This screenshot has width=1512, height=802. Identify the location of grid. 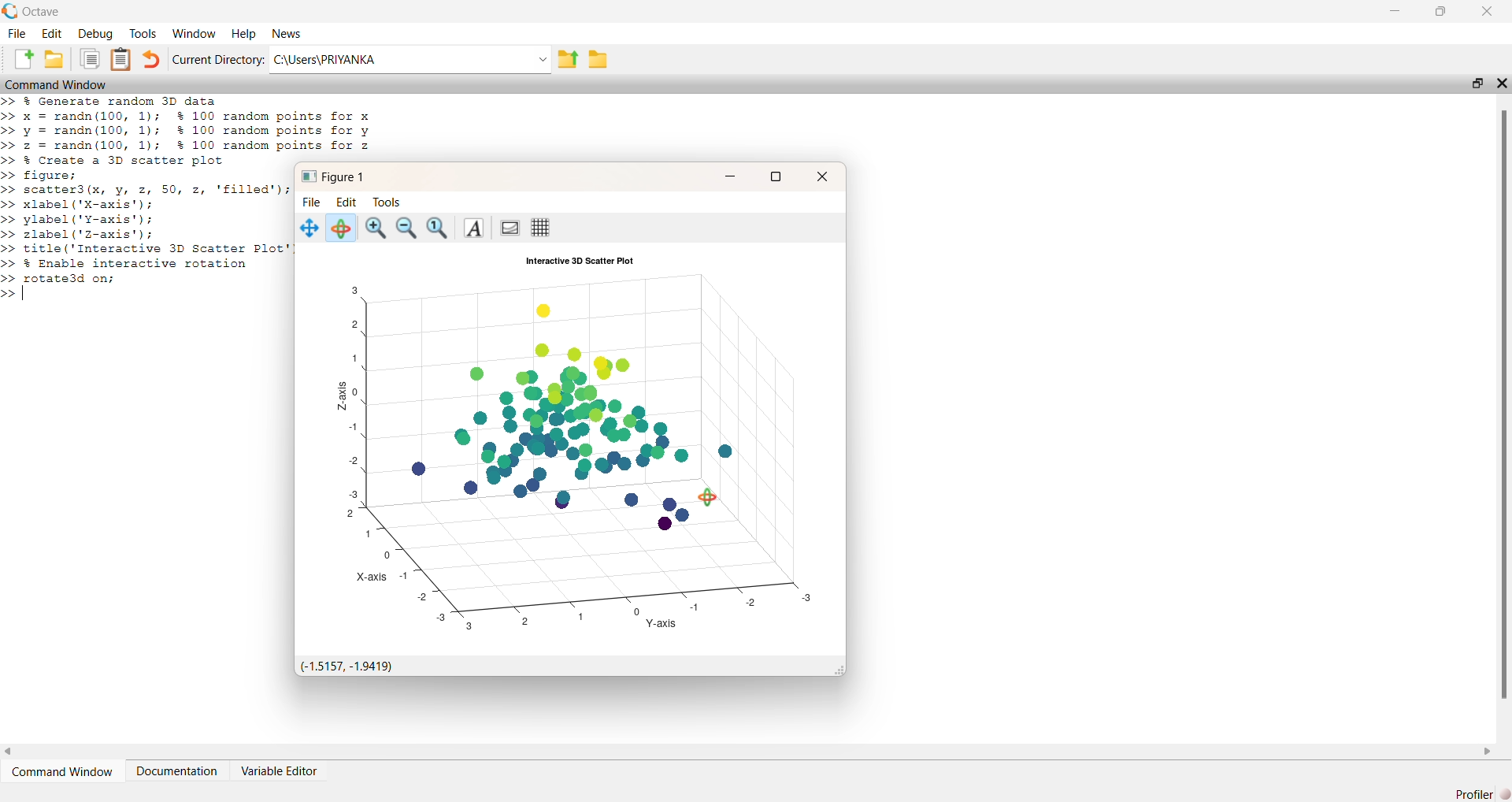
(540, 228).